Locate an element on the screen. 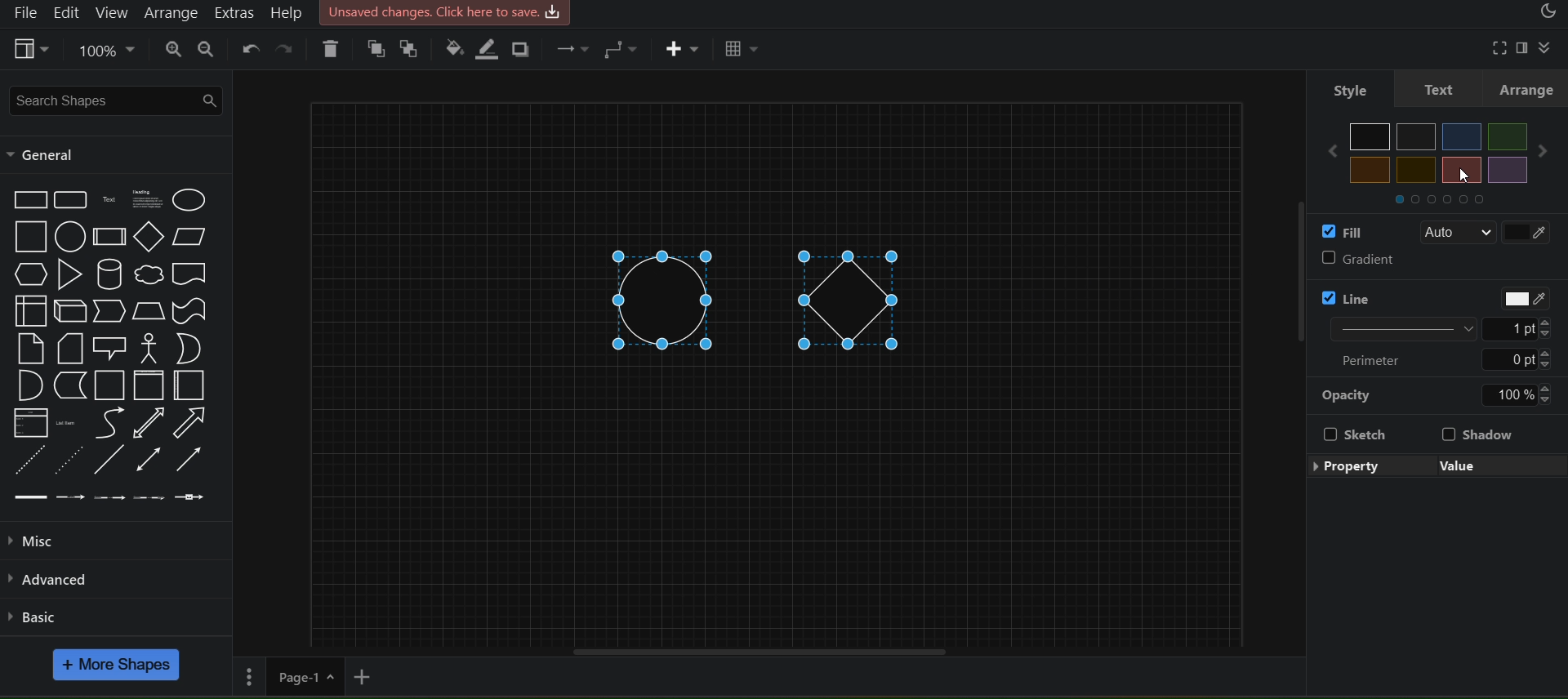  Data Storage is located at coordinates (69, 385).